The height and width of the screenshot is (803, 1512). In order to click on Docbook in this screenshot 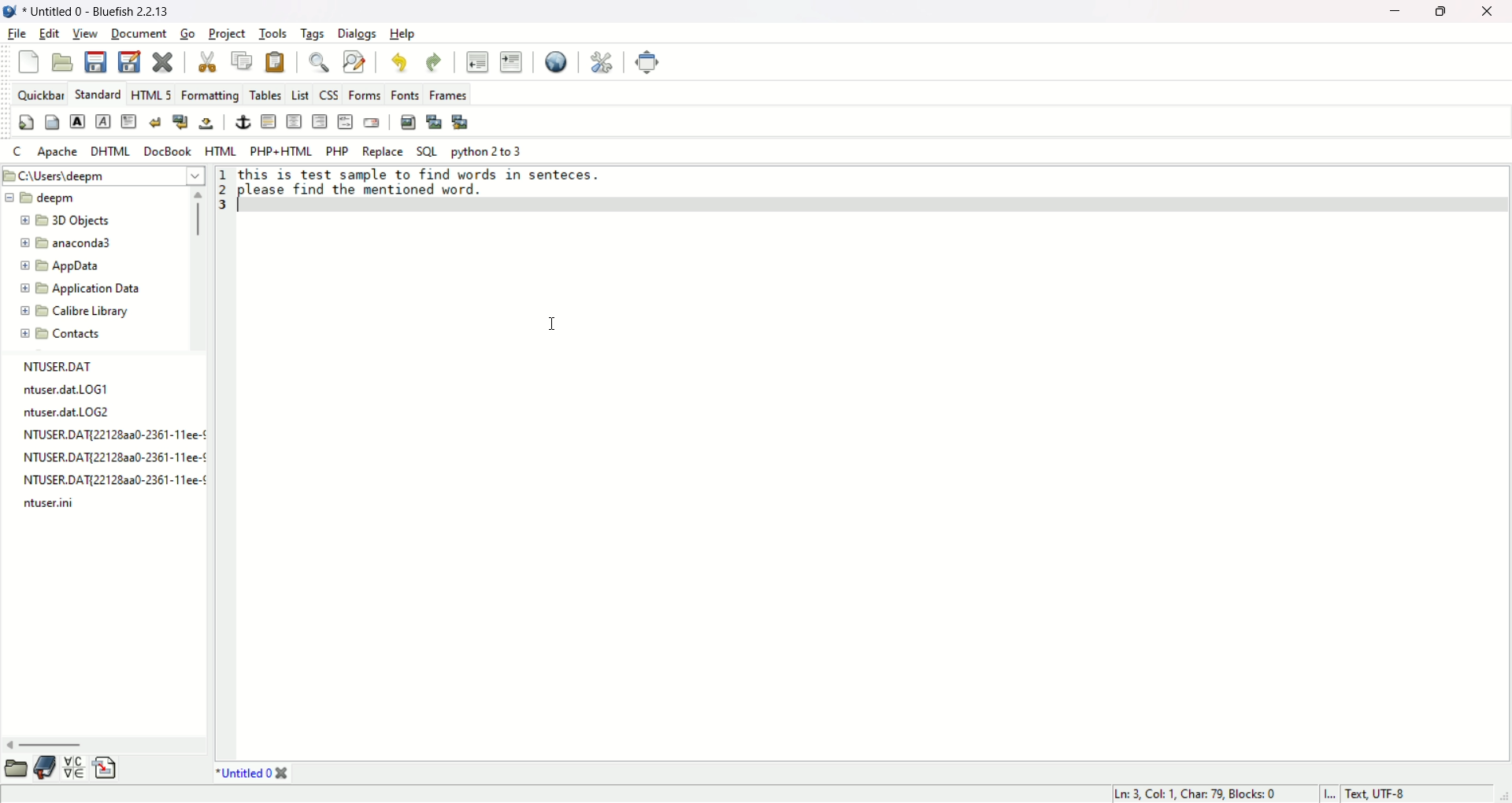, I will do `click(170, 151)`.